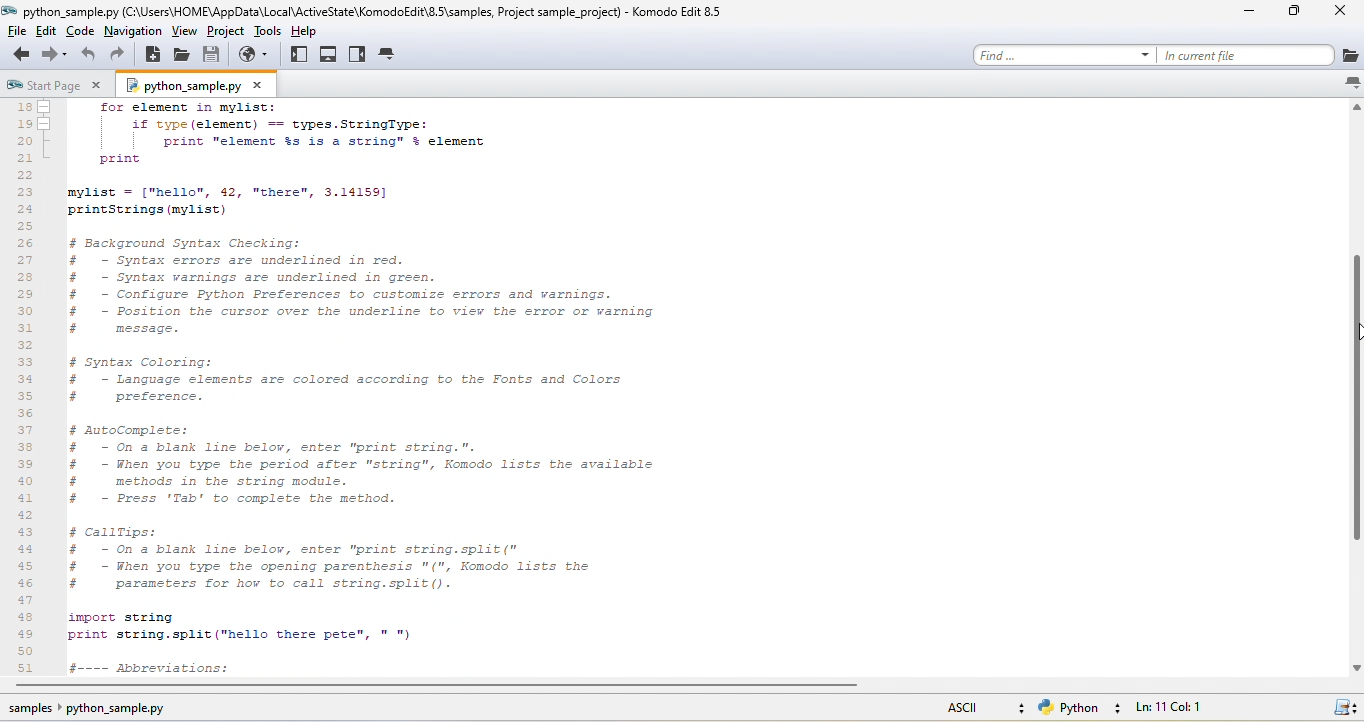 This screenshot has width=1364, height=722. What do you see at coordinates (358, 55) in the screenshot?
I see `right pane` at bounding box center [358, 55].